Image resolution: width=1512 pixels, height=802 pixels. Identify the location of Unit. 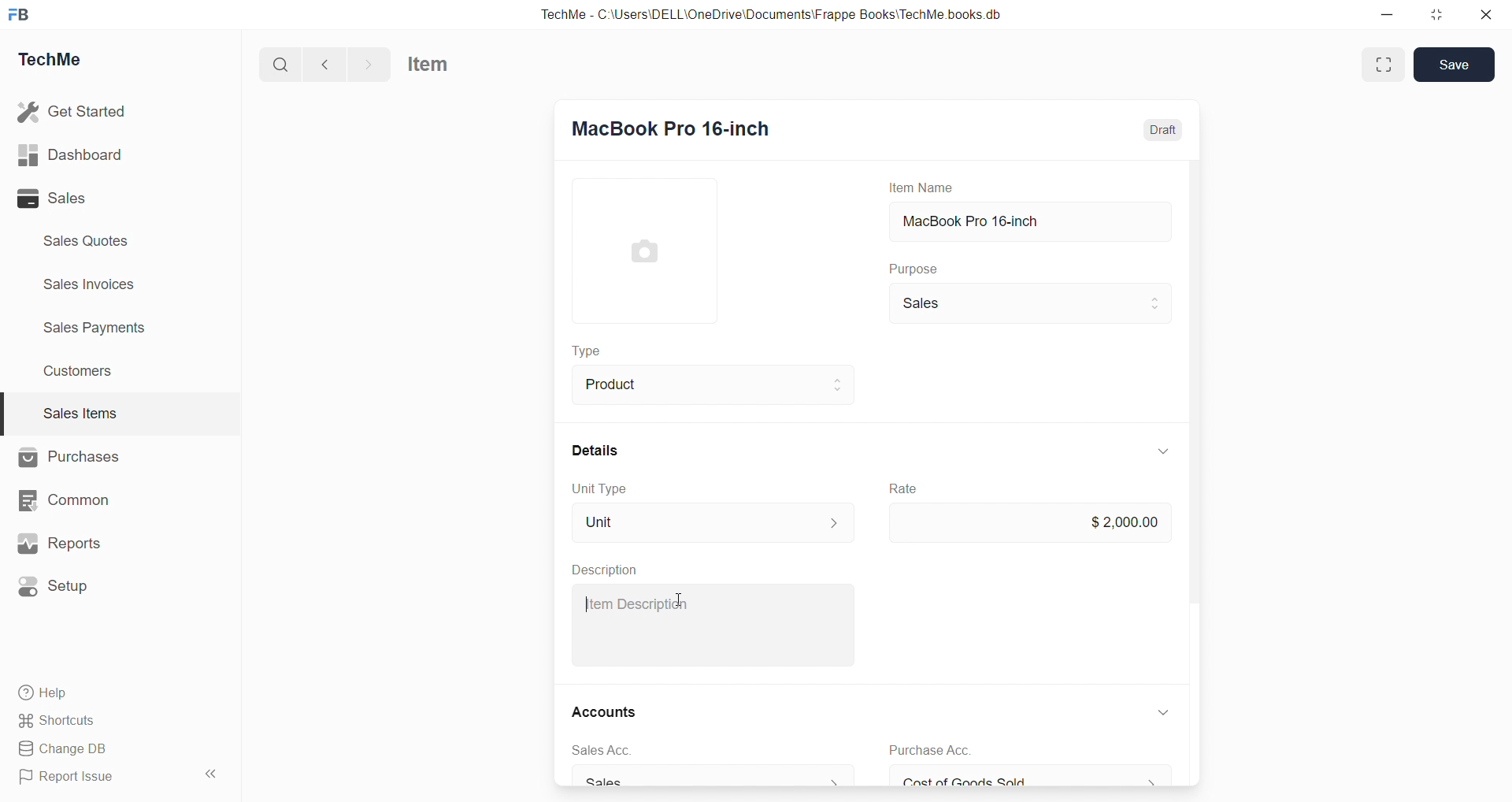
(713, 522).